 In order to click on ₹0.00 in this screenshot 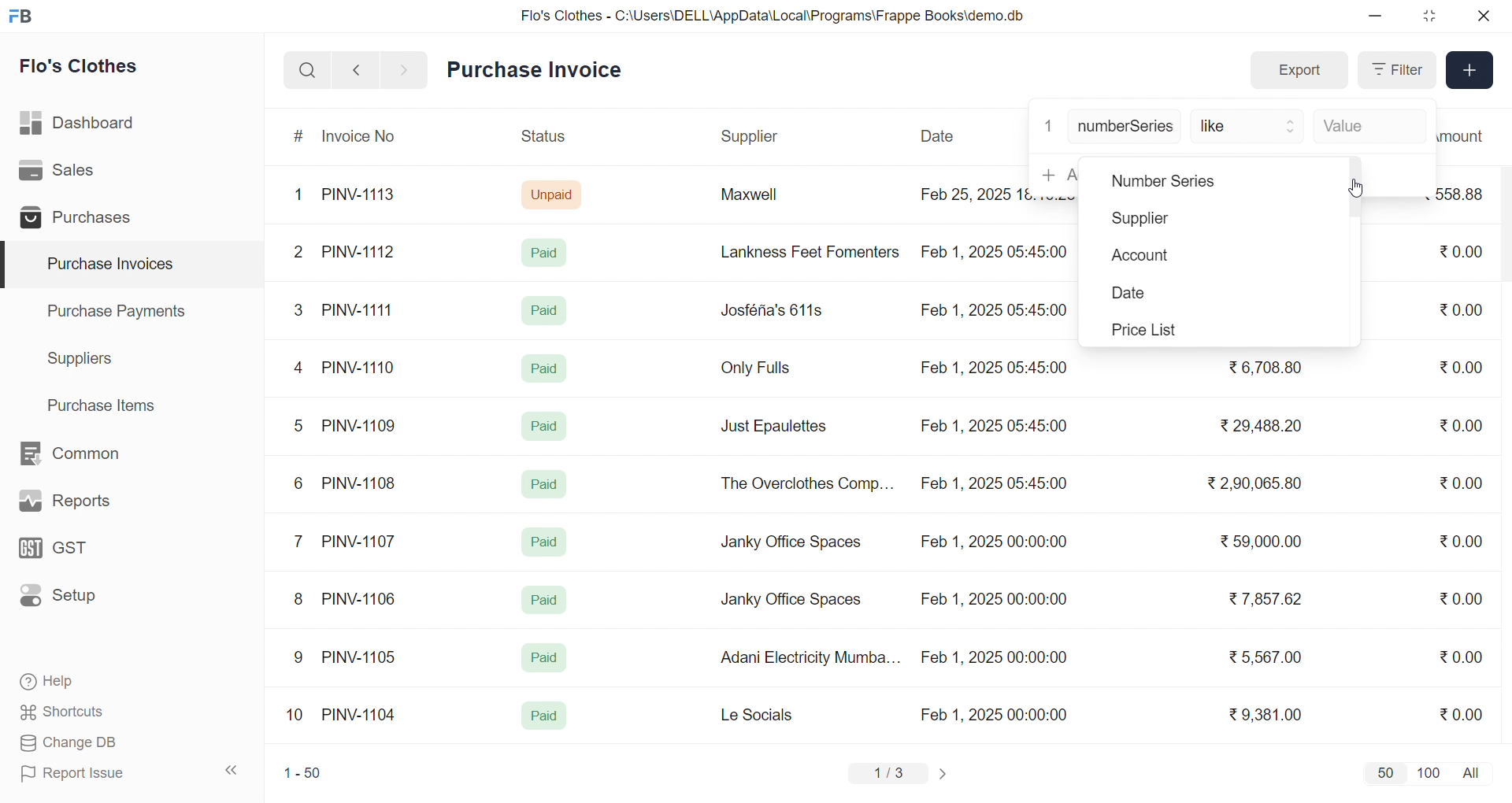, I will do `click(1462, 656)`.